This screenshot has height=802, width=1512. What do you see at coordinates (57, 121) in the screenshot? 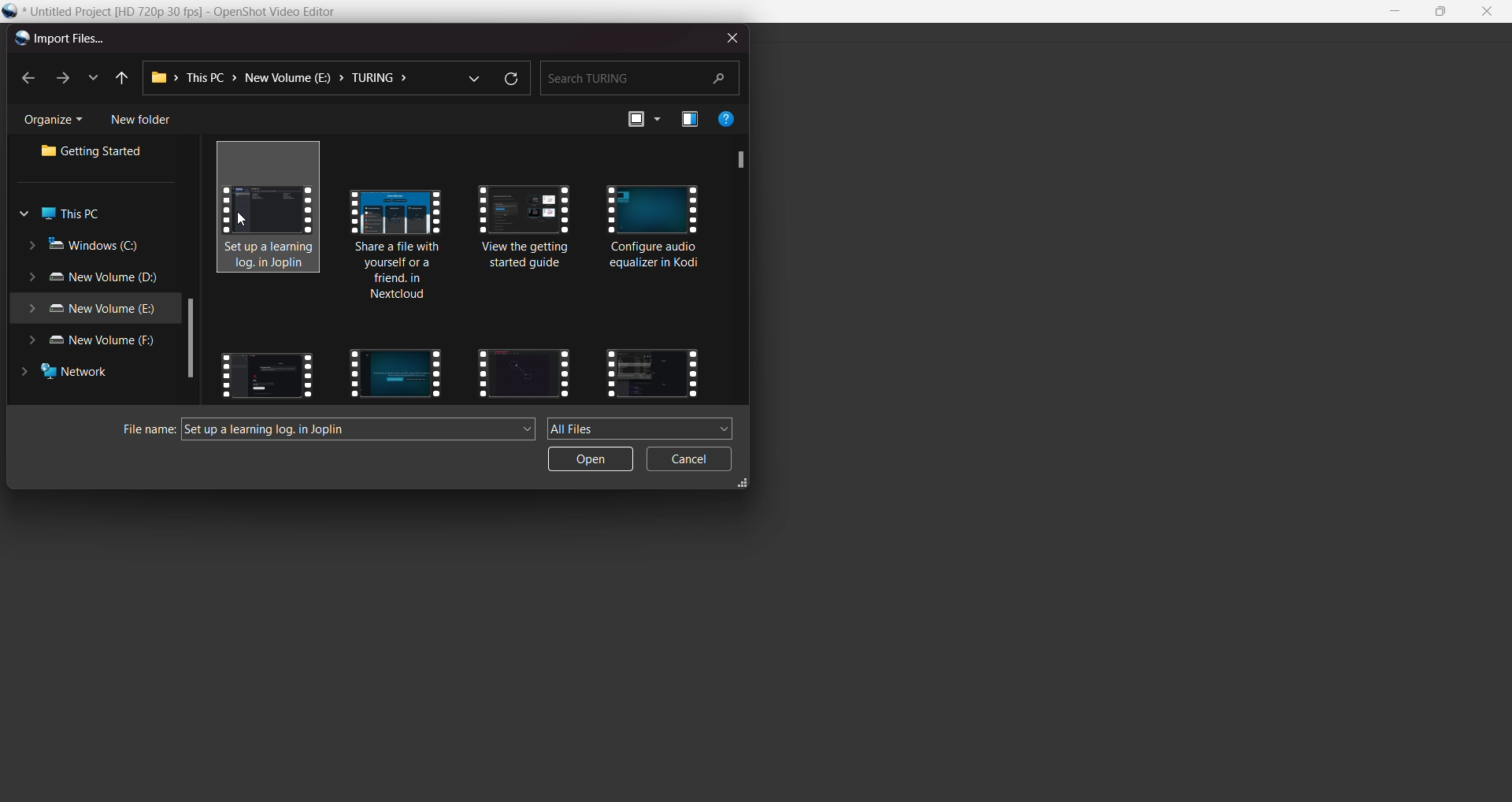
I see `organize` at bounding box center [57, 121].